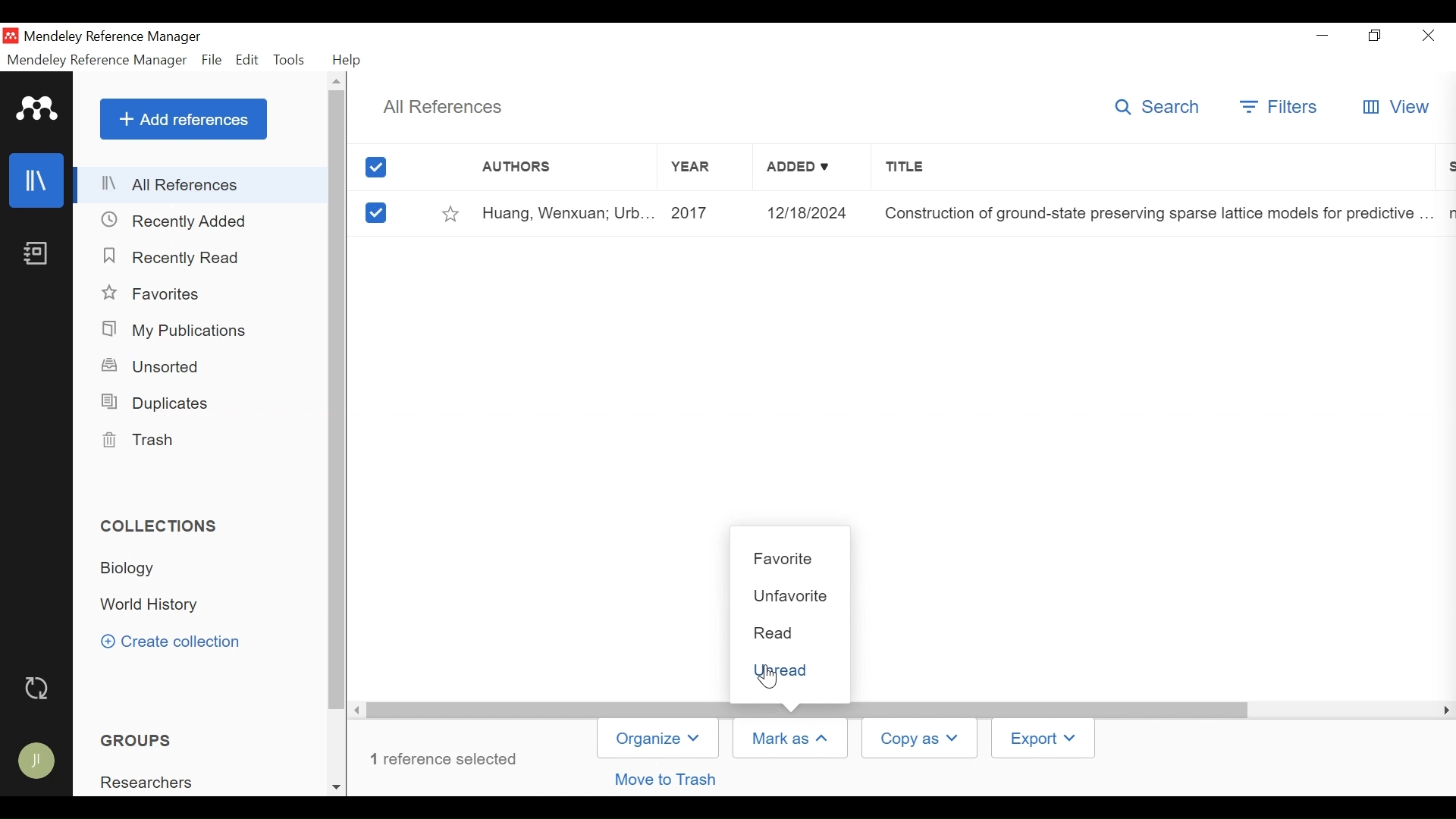  Describe the element at coordinates (452, 215) in the screenshot. I see `Toggle Favorites` at that location.